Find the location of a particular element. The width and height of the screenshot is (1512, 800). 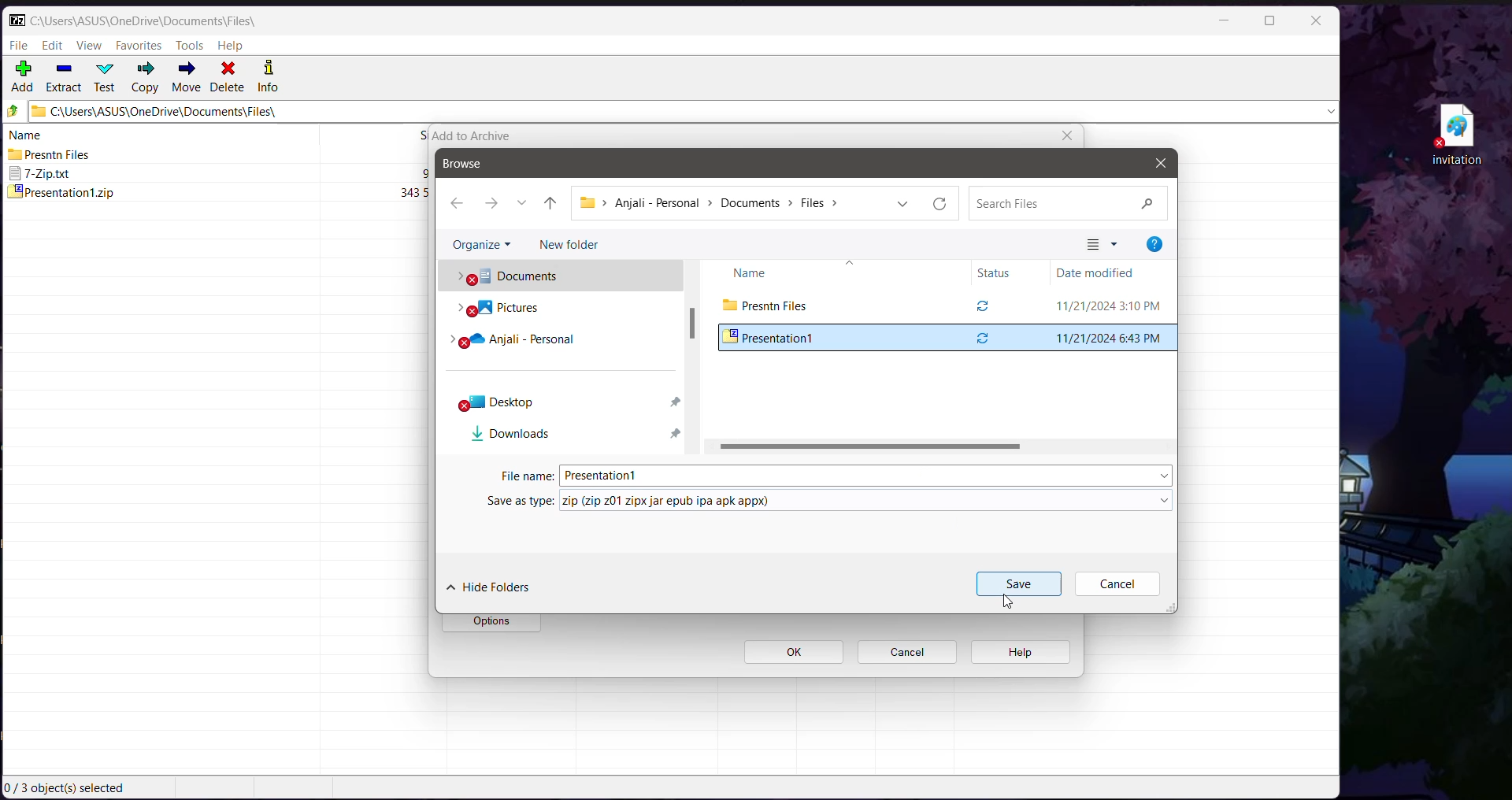

name is located at coordinates (26, 134).